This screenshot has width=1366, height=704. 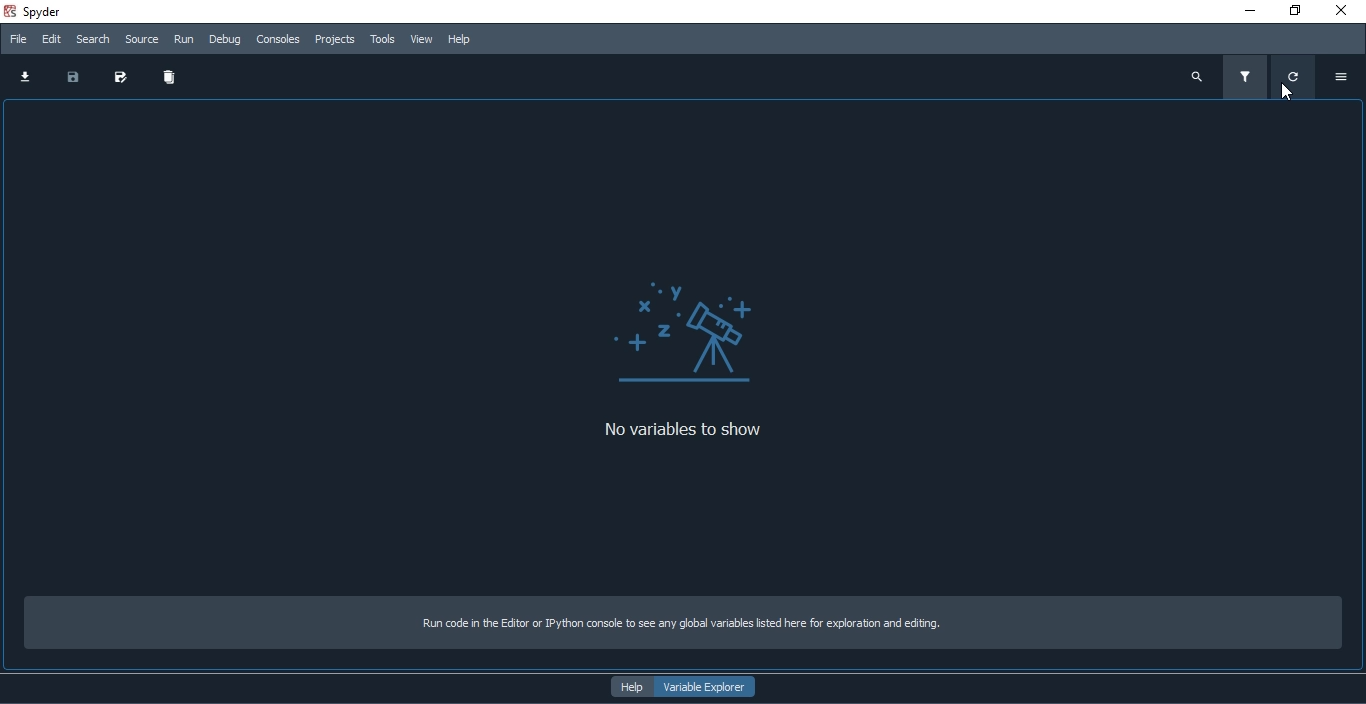 What do you see at coordinates (183, 39) in the screenshot?
I see `Run` at bounding box center [183, 39].